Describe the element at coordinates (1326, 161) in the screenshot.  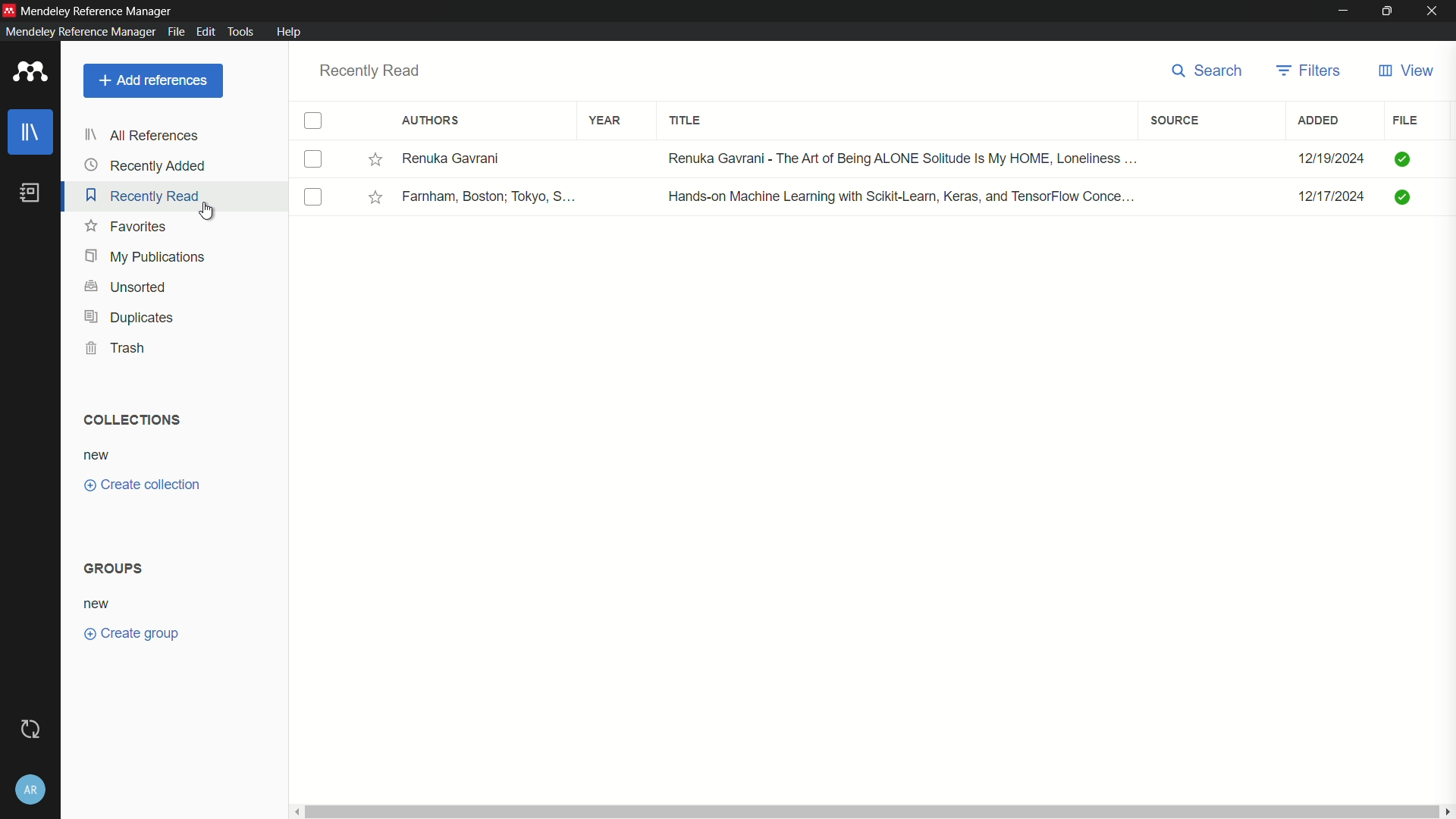
I see `12/19/2024` at that location.